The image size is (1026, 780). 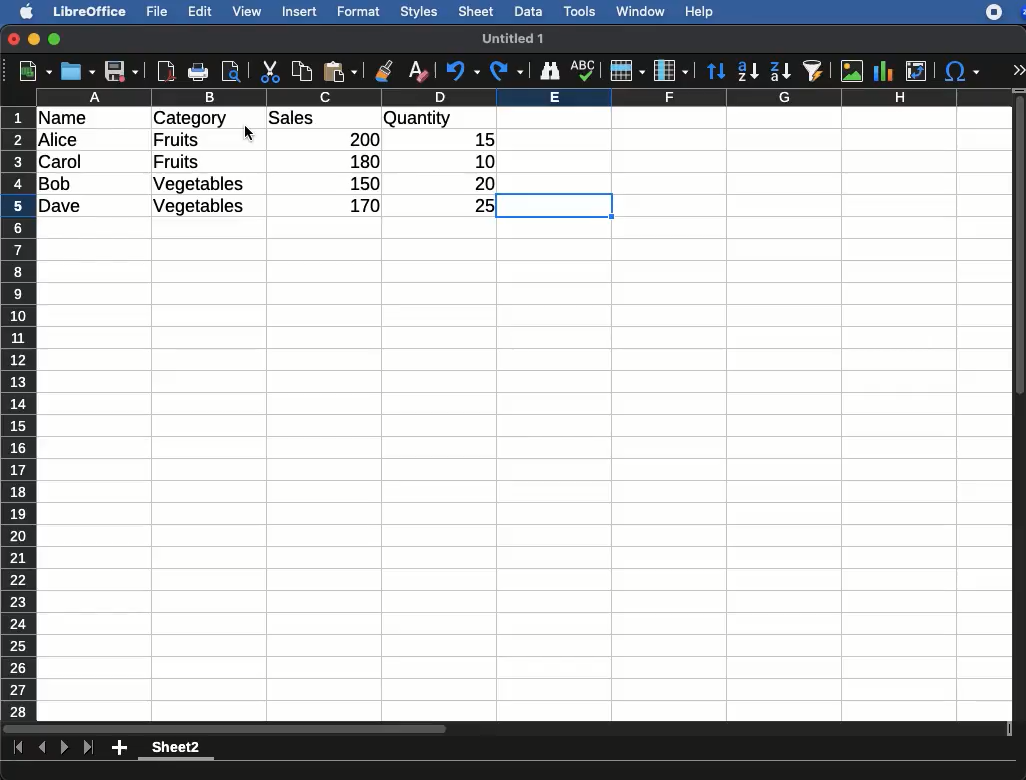 What do you see at coordinates (247, 132) in the screenshot?
I see `Cursor` at bounding box center [247, 132].